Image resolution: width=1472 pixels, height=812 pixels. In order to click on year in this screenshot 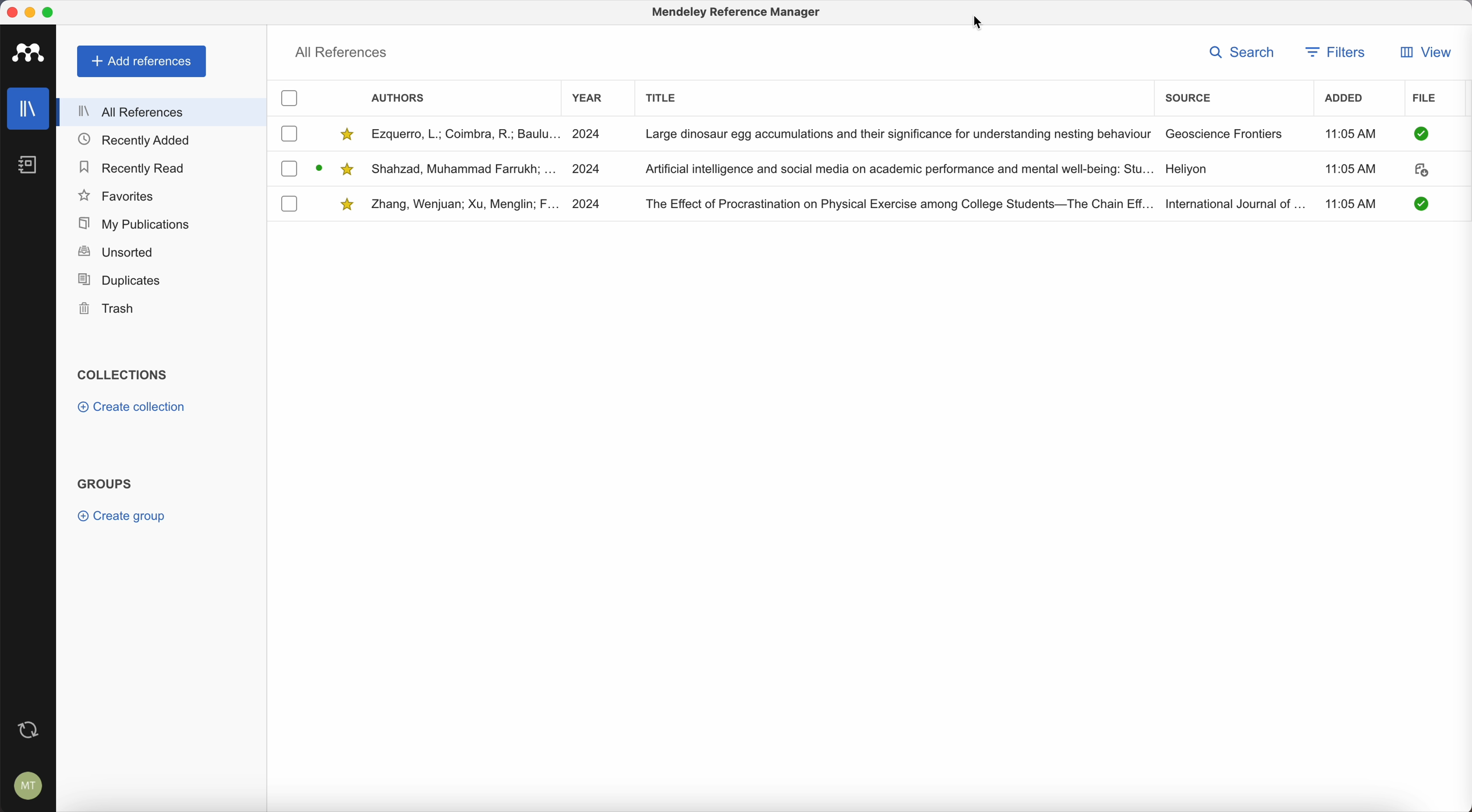, I will do `click(588, 98)`.